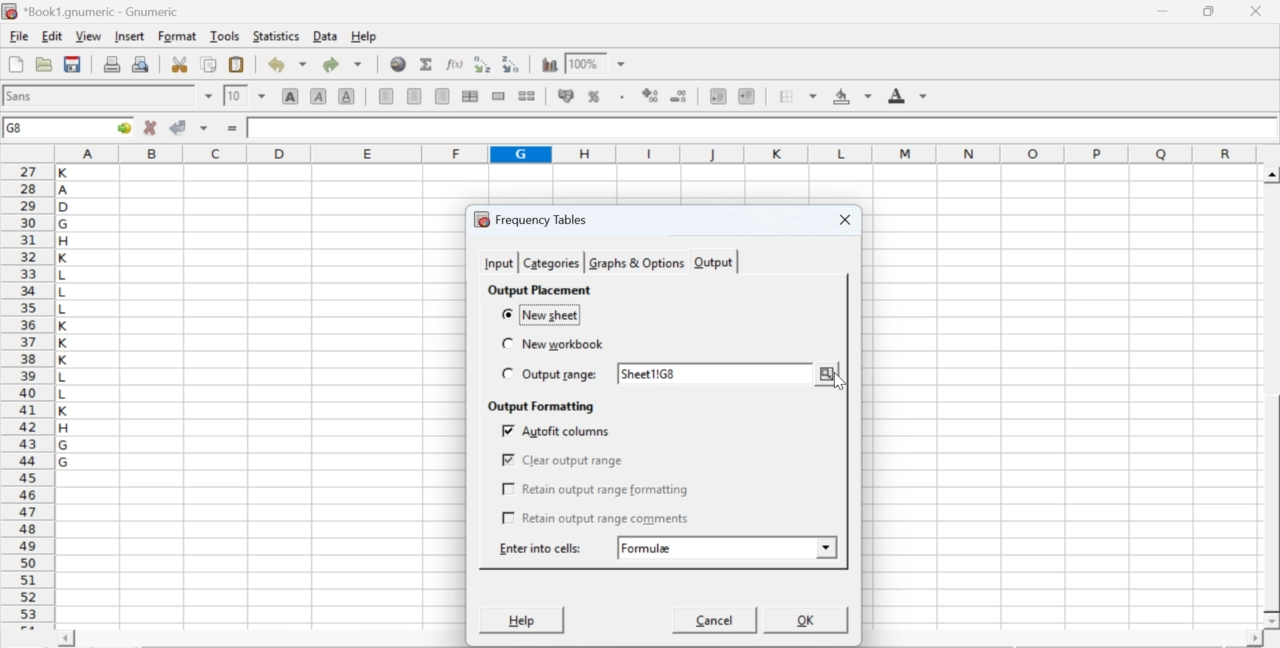  I want to click on OK, so click(807, 619).